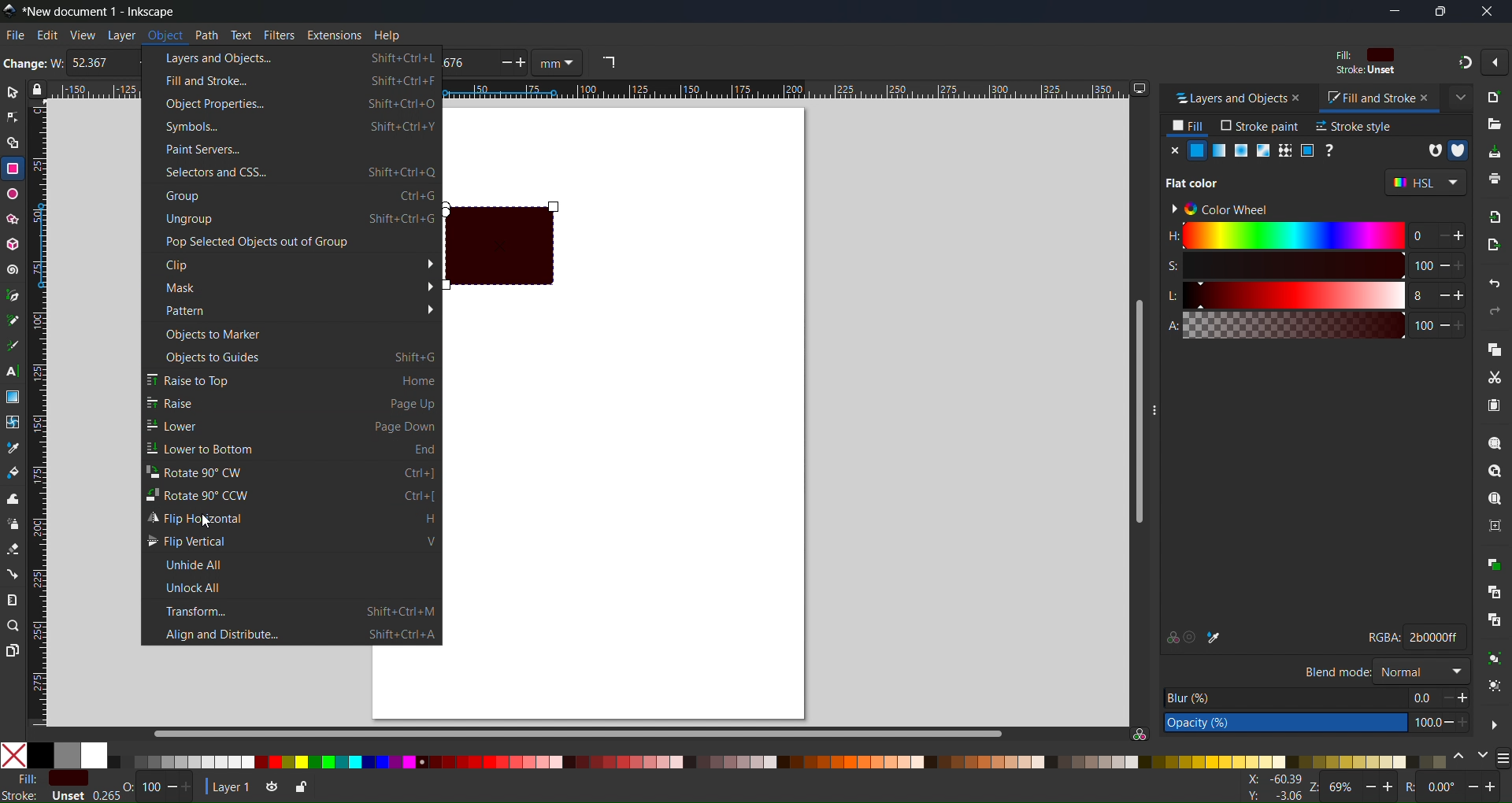  Describe the element at coordinates (1193, 637) in the screenshot. I see `Out of gamut` at that location.